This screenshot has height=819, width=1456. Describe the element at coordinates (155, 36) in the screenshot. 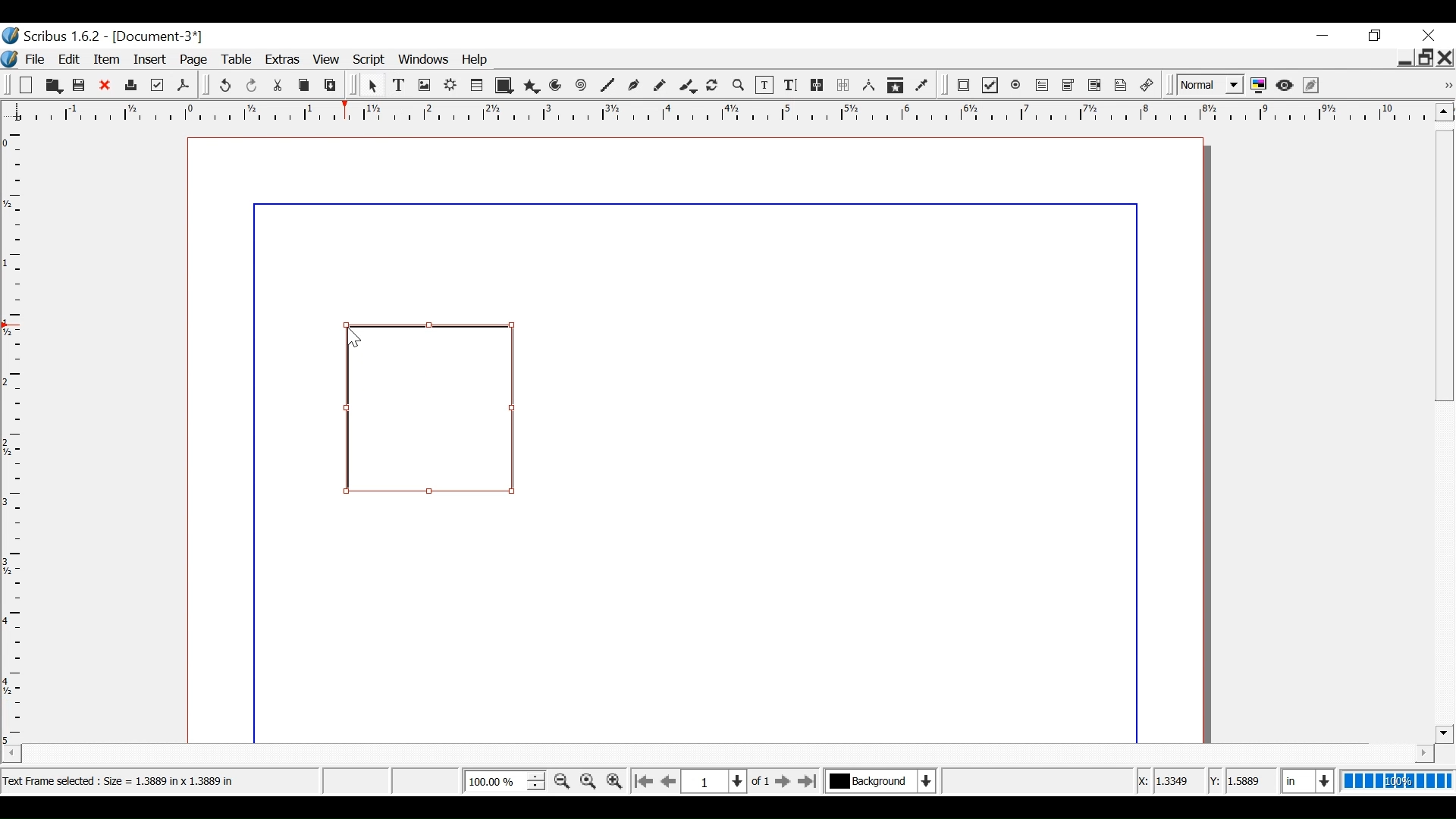

I see `Document` at that location.